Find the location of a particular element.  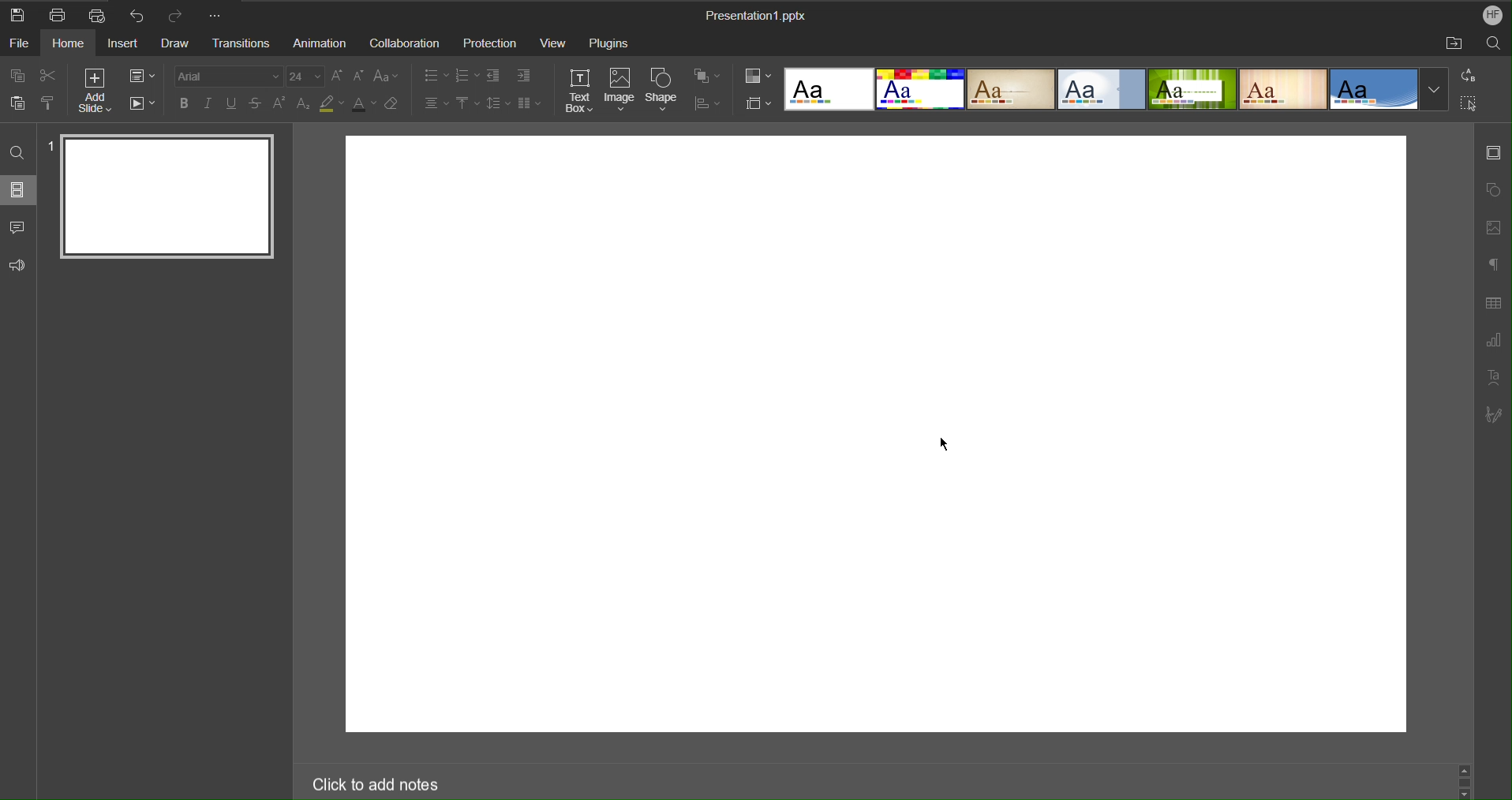

Print is located at coordinates (57, 14).